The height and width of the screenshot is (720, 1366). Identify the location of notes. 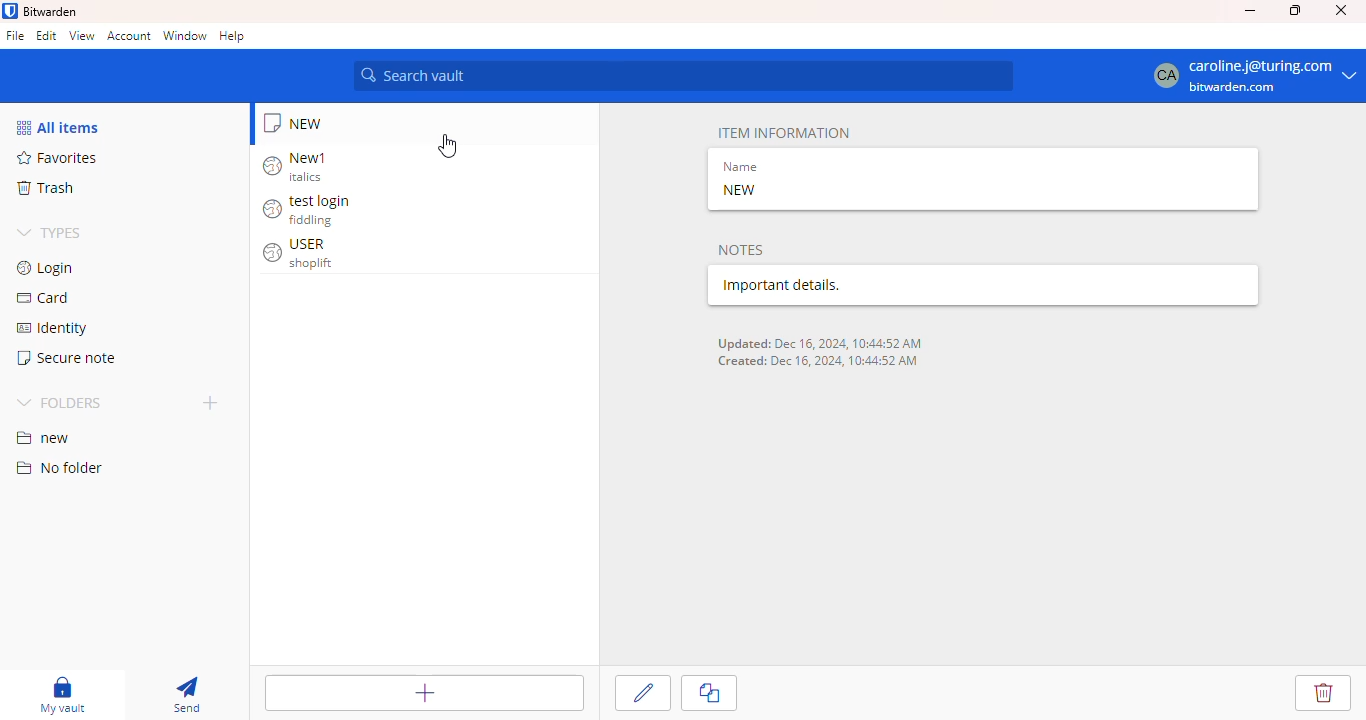
(742, 249).